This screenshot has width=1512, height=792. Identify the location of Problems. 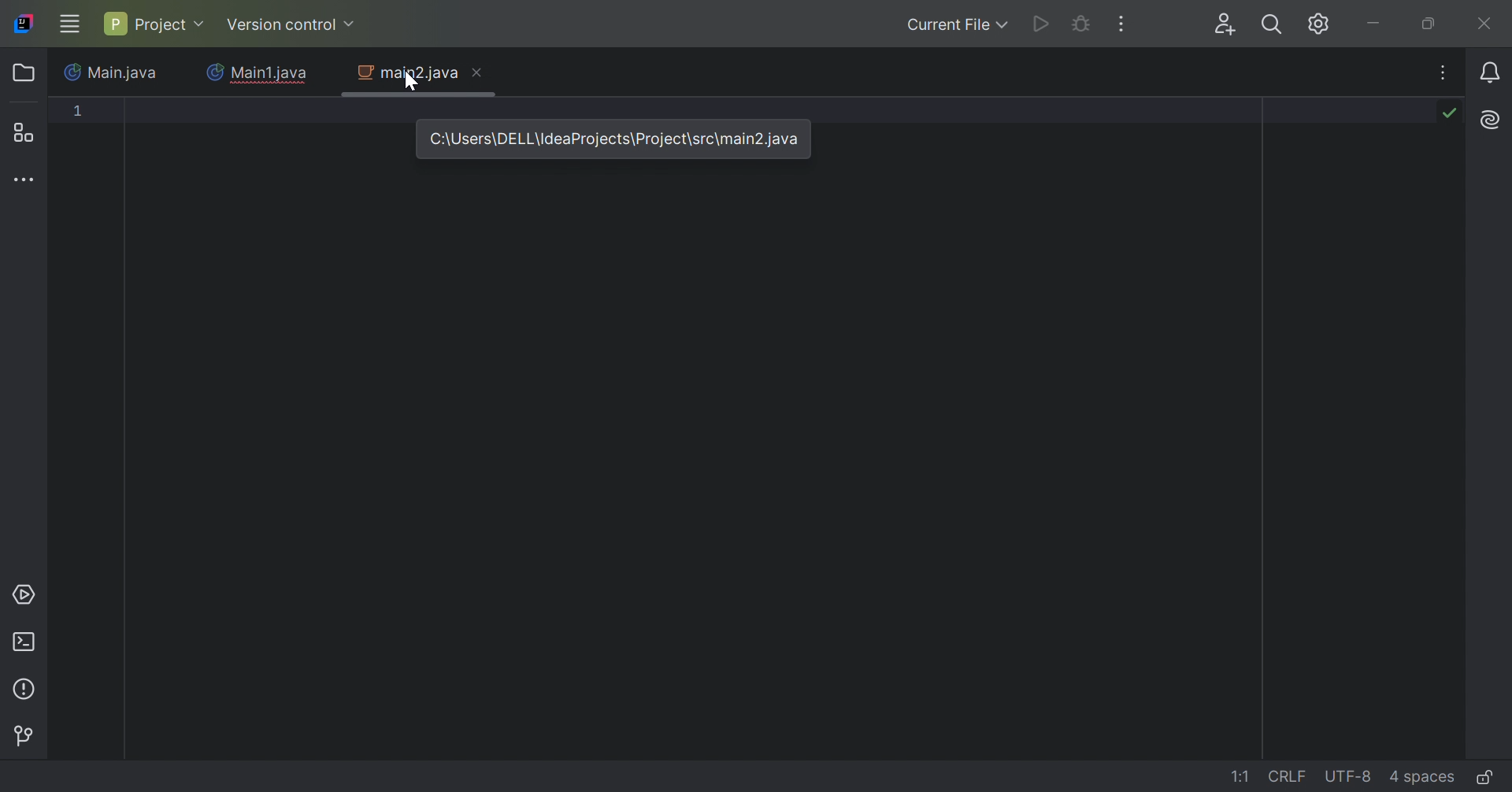
(28, 690).